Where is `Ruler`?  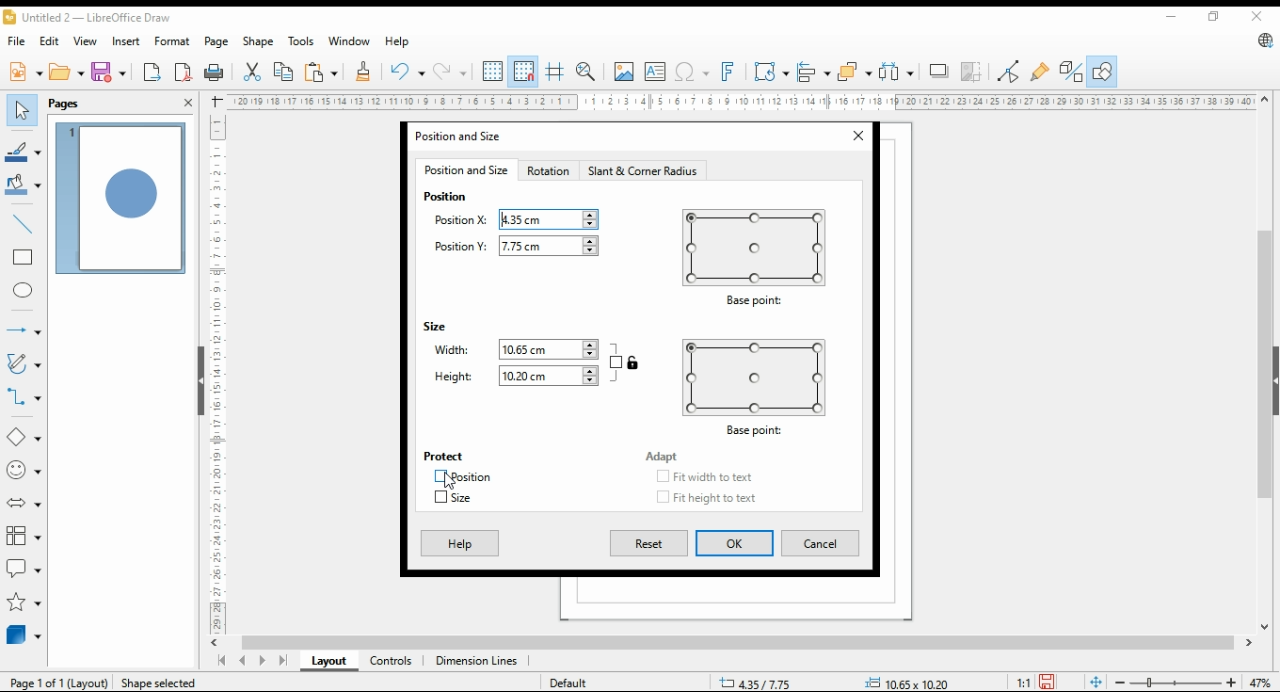
Ruler is located at coordinates (741, 101).